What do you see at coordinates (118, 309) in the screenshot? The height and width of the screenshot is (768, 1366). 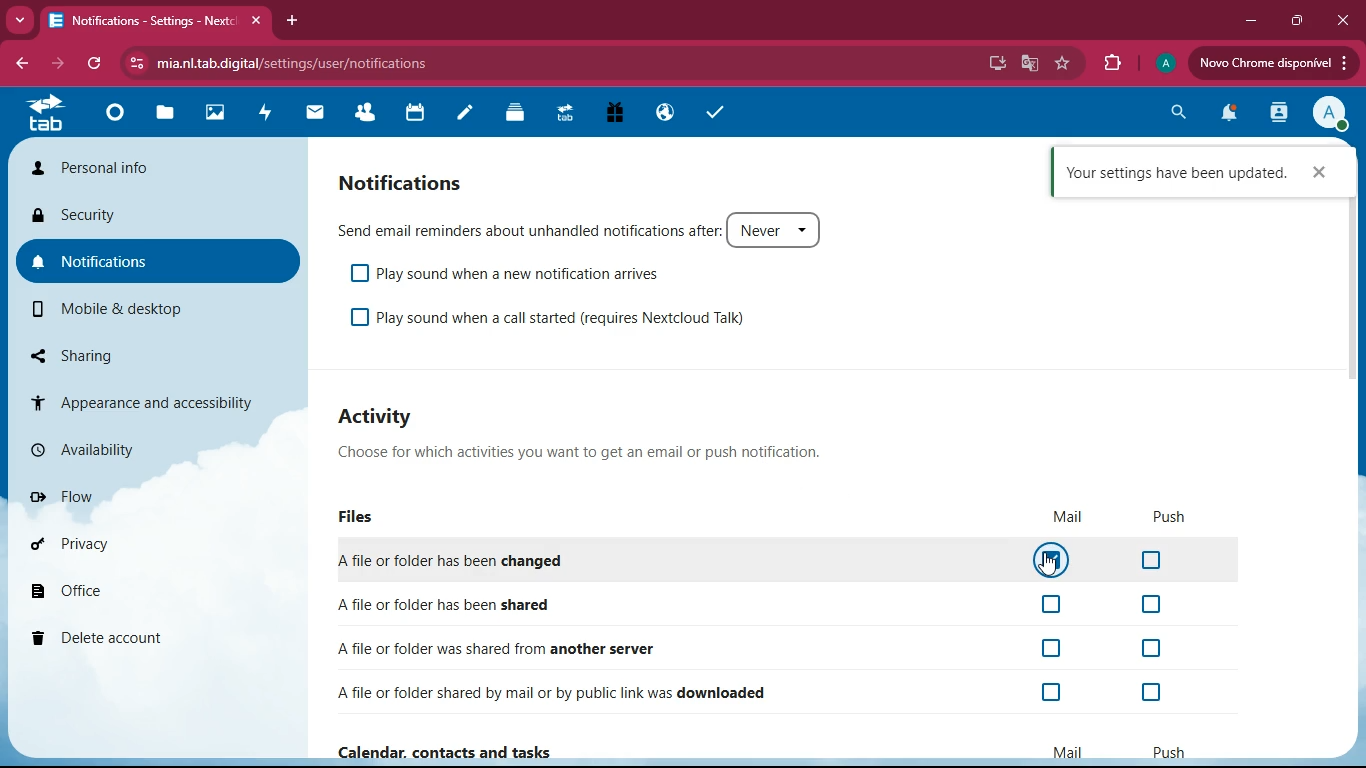 I see `mobile & desktop` at bounding box center [118, 309].